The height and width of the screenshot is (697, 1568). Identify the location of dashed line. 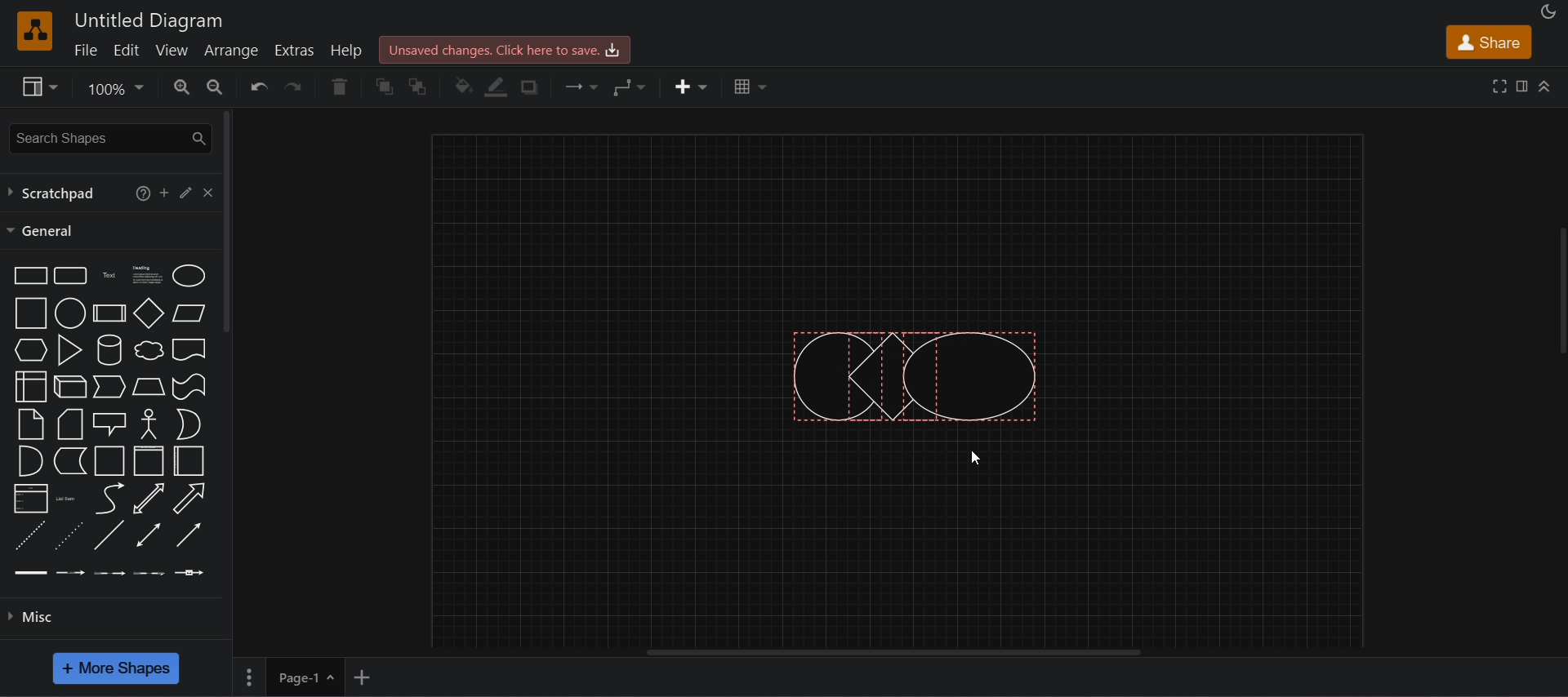
(28, 535).